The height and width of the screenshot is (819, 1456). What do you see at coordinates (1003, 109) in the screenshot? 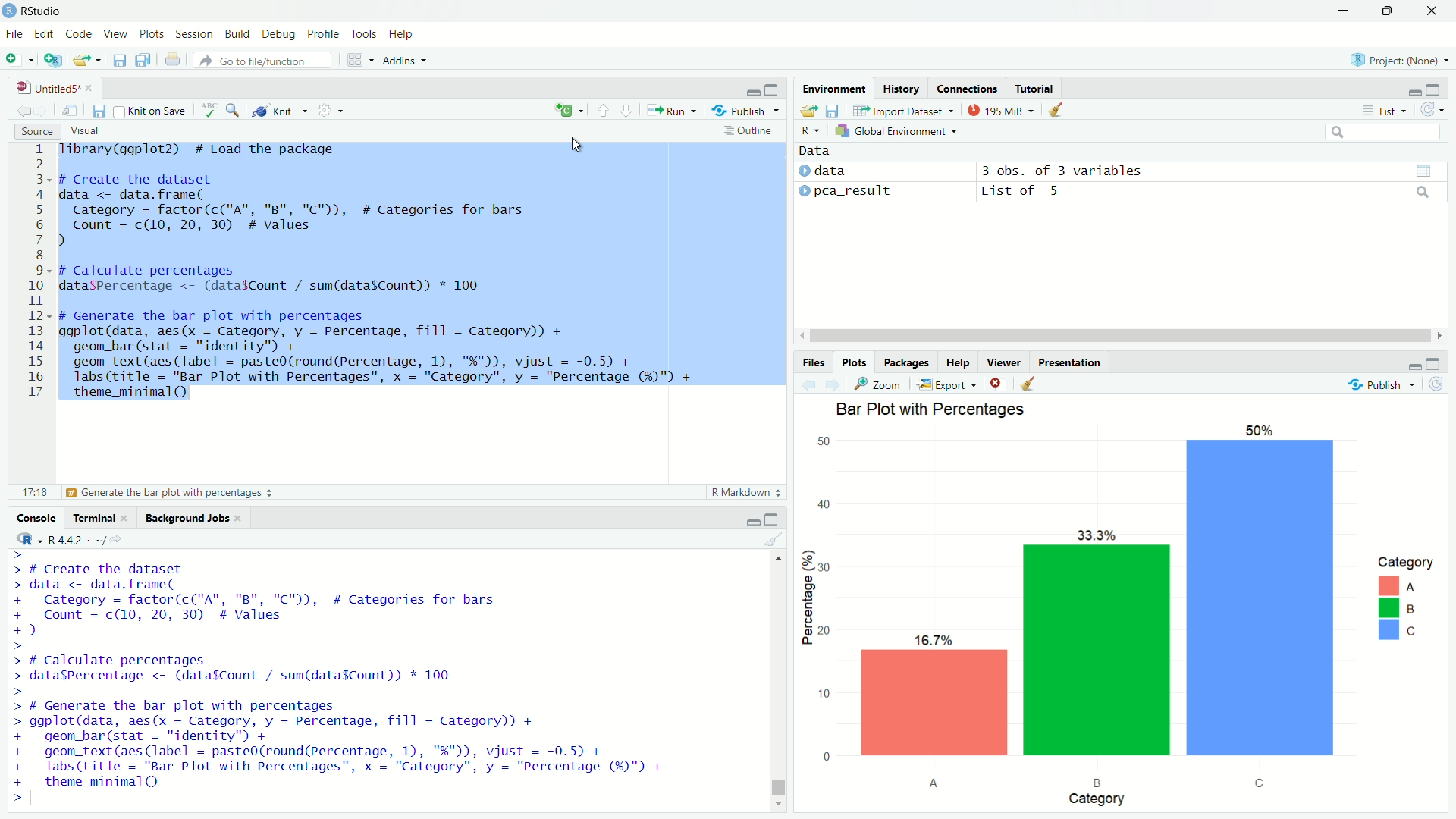
I see `memory usage: 191MB` at bounding box center [1003, 109].